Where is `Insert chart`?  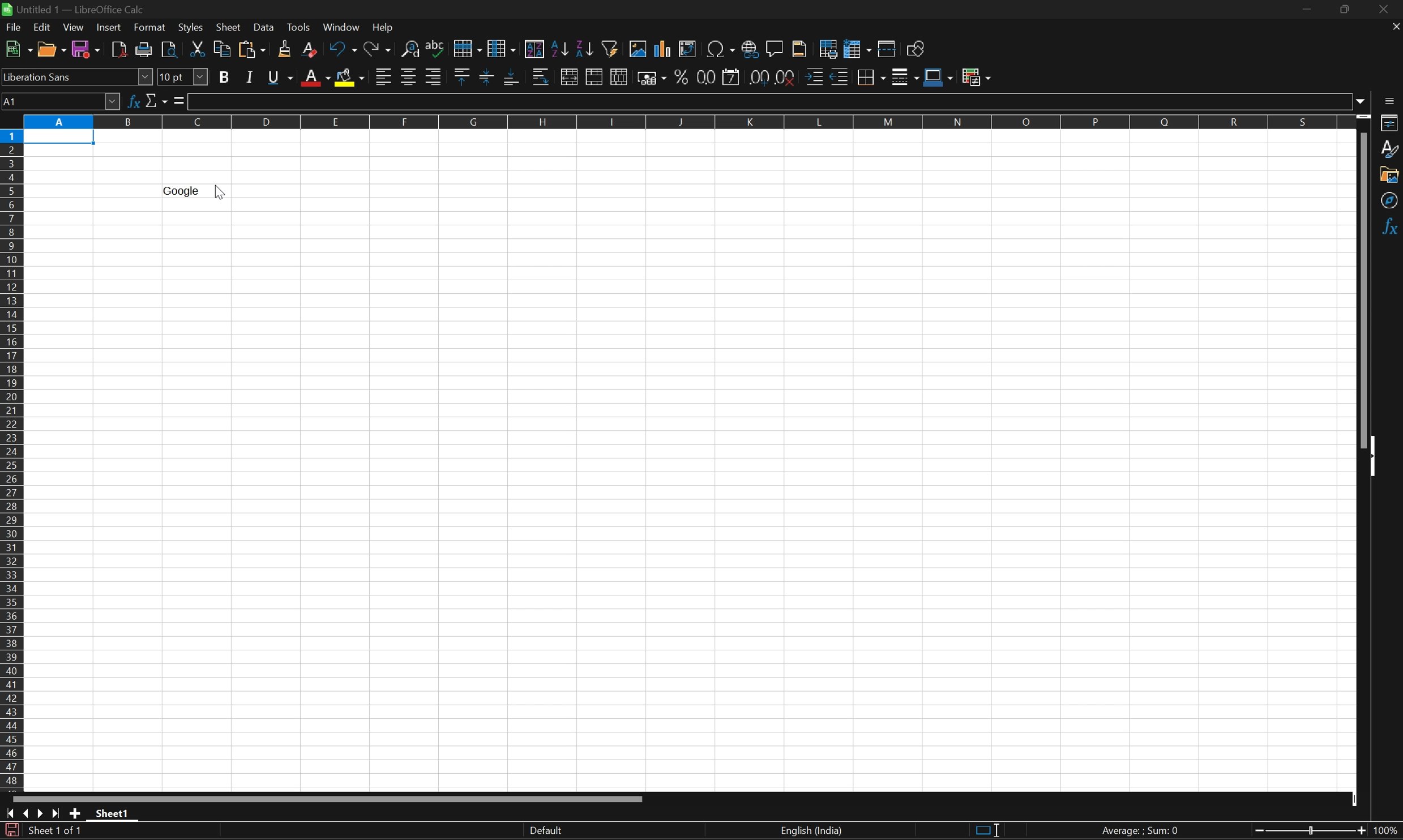 Insert chart is located at coordinates (661, 48).